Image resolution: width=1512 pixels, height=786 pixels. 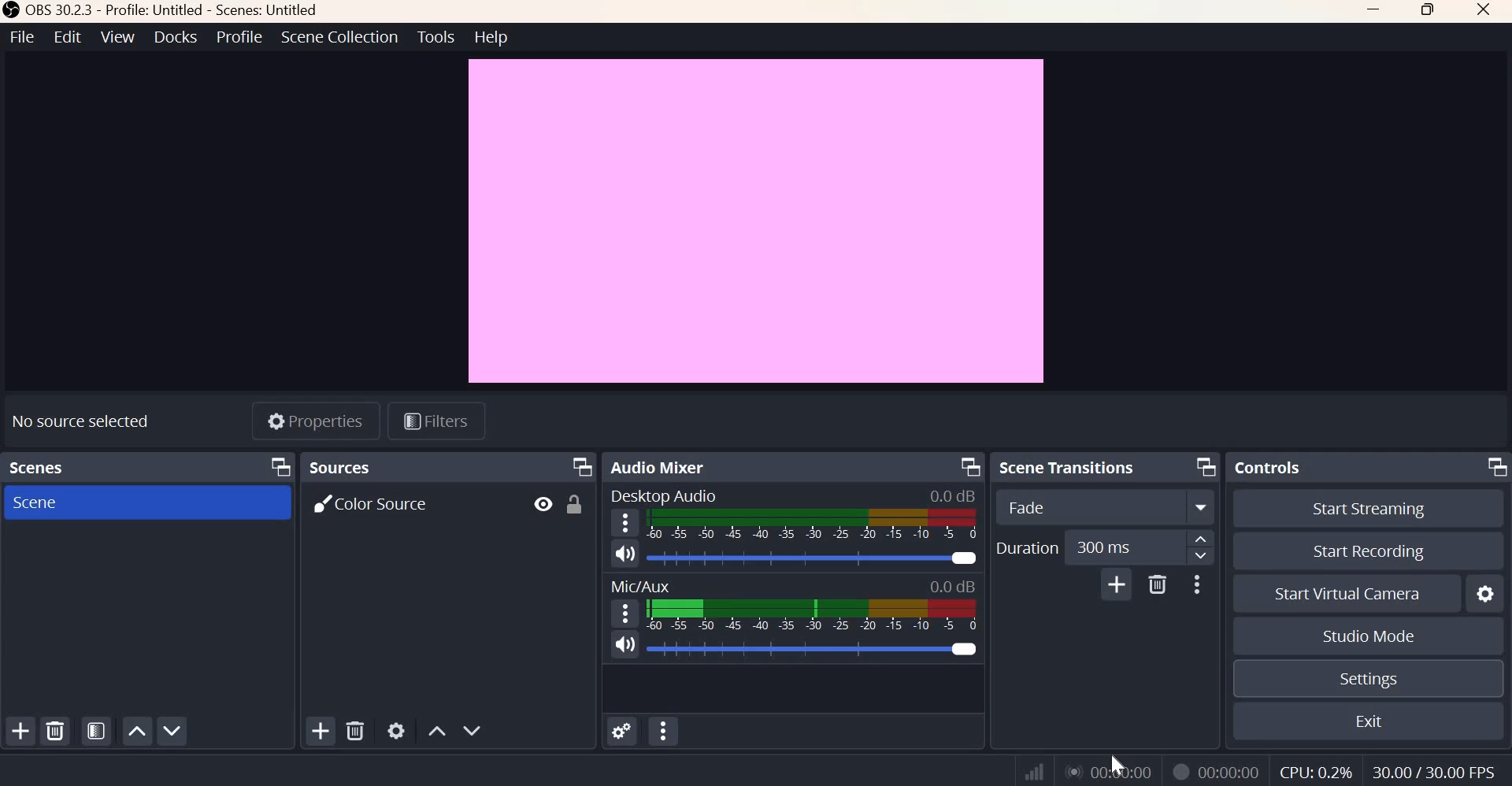 I want to click on Recording Status Icon, so click(x=1181, y=771).